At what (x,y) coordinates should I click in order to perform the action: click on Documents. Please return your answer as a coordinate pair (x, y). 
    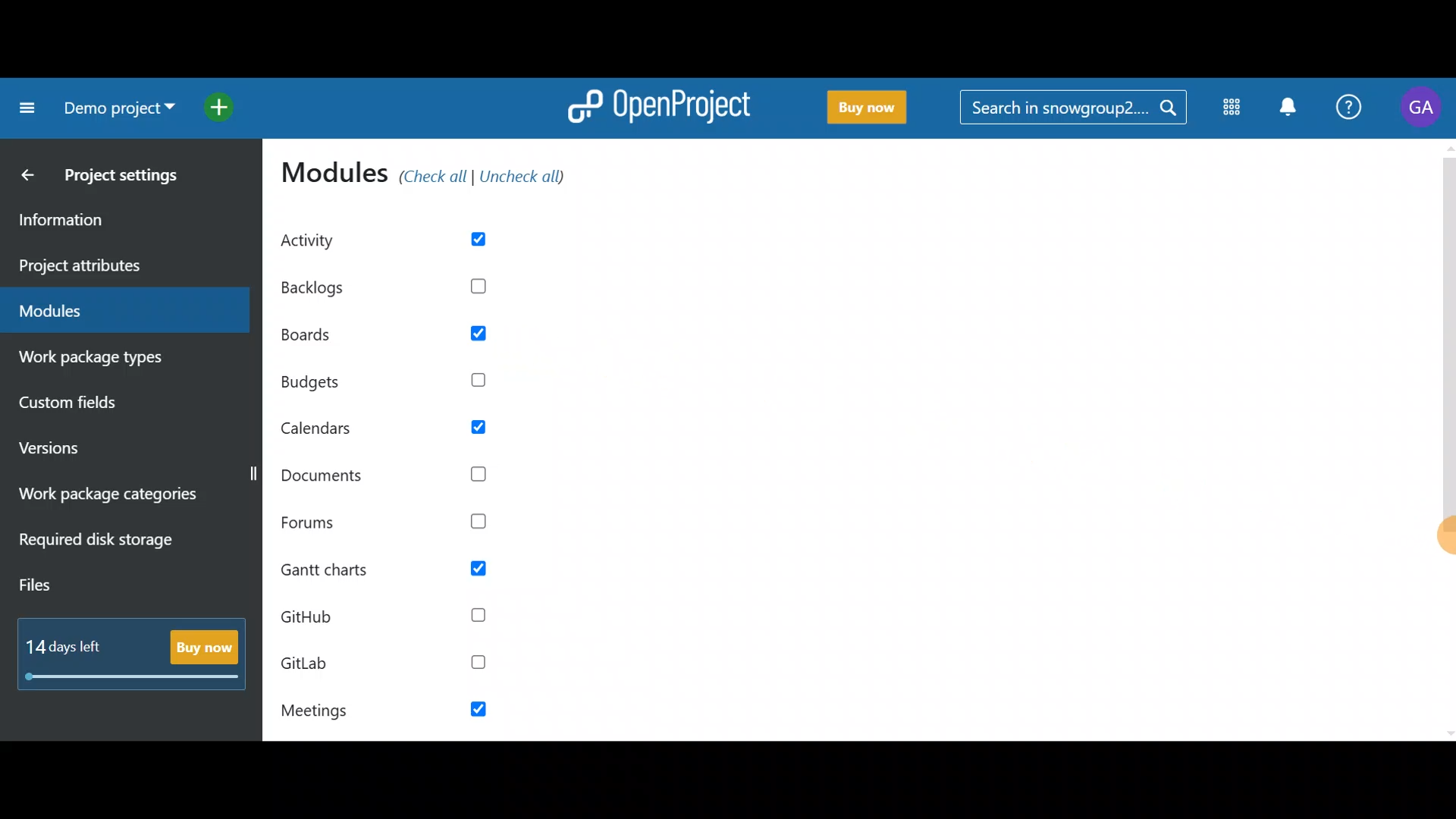
    Looking at the image, I should click on (392, 472).